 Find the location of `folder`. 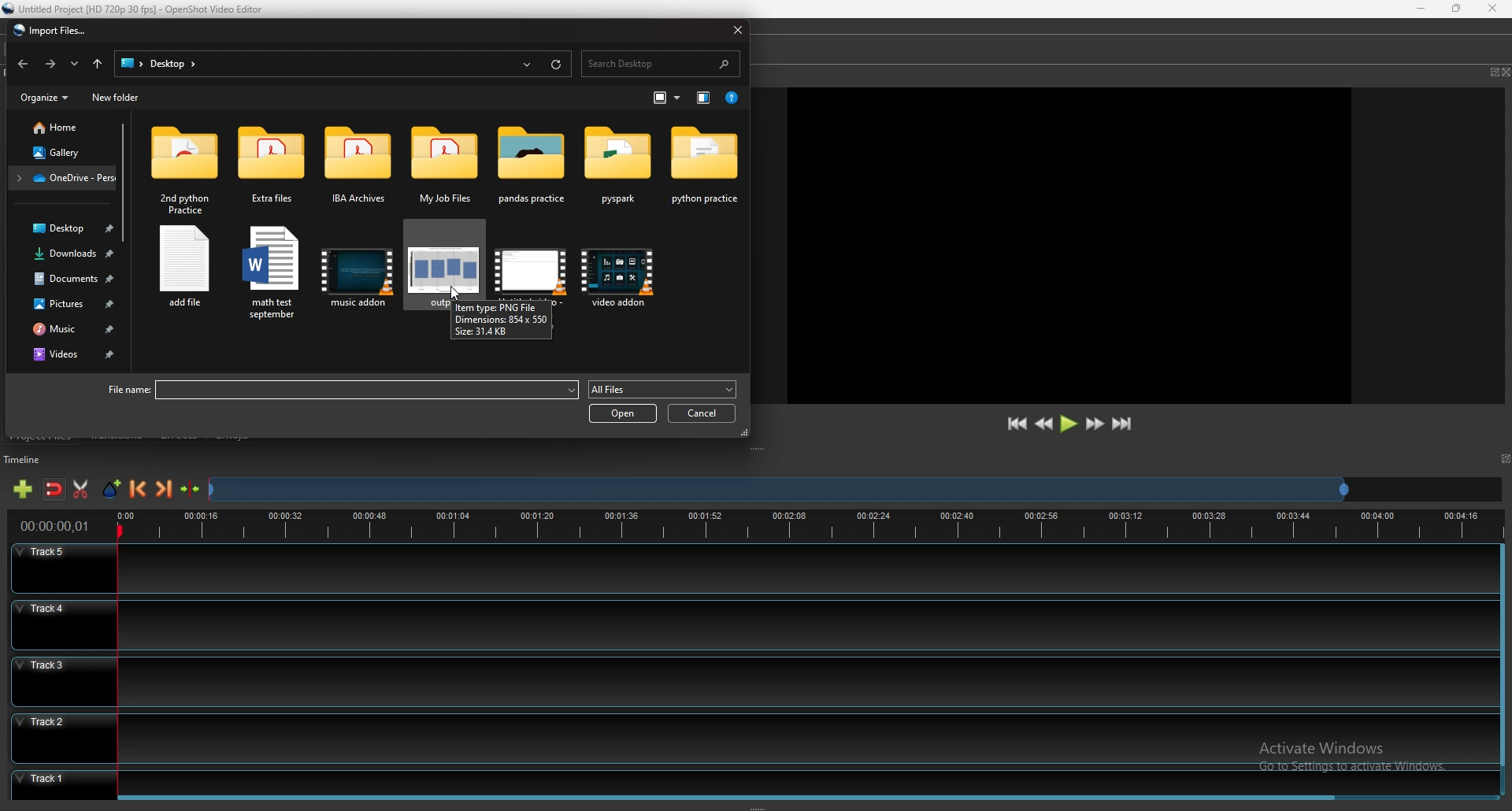

folder is located at coordinates (618, 169).